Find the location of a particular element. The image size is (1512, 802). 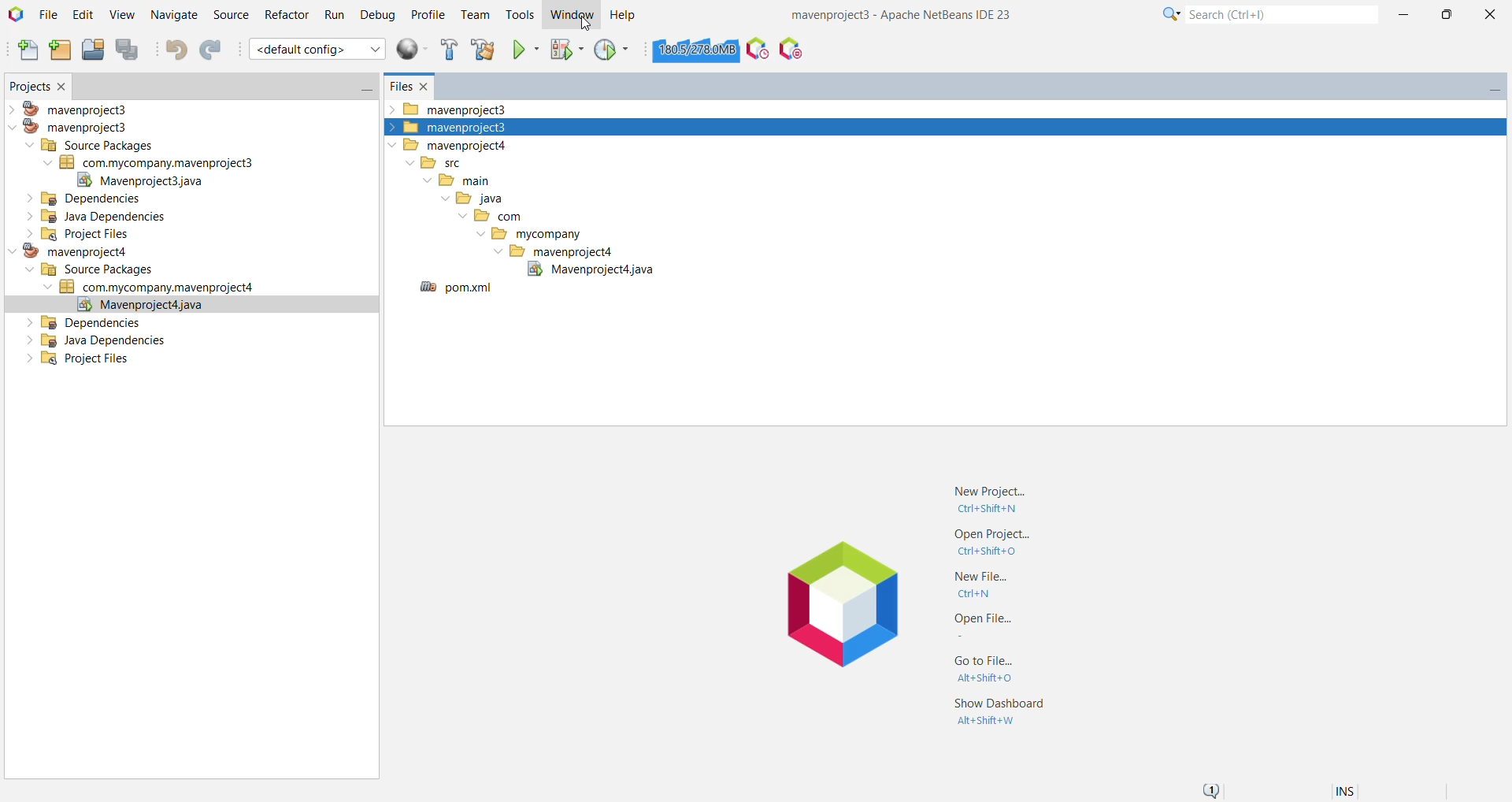

New Project is located at coordinates (57, 50).